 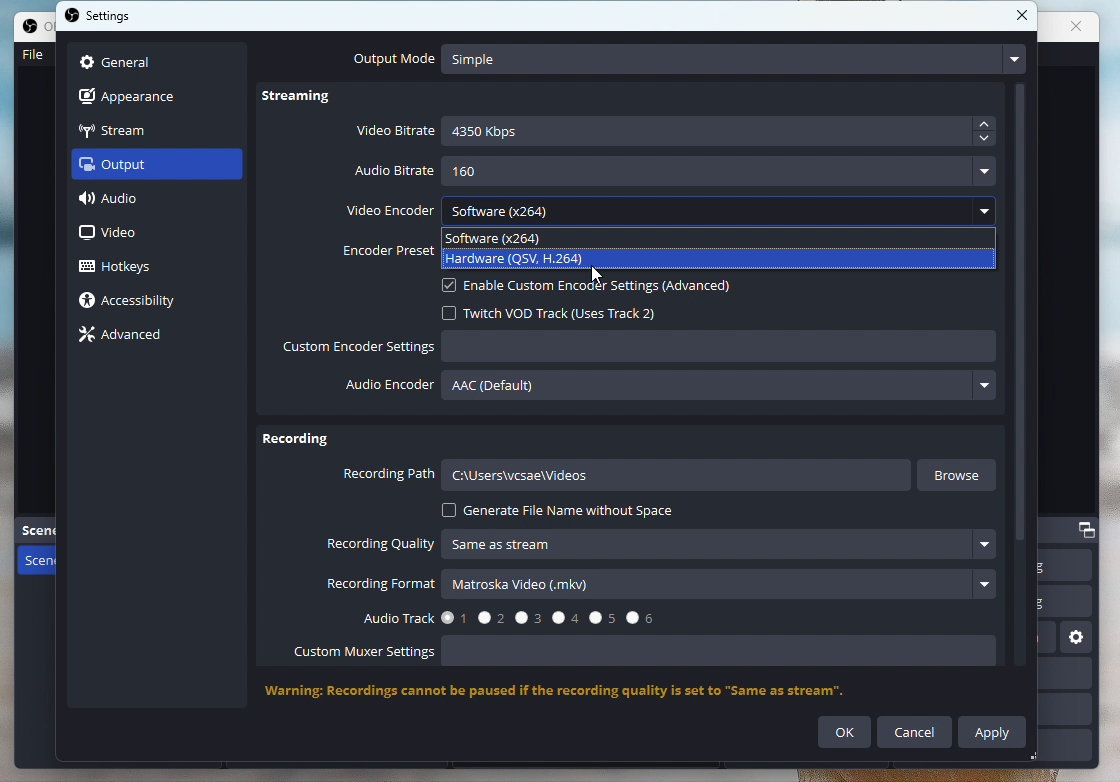 I want to click on ok, so click(x=845, y=733).